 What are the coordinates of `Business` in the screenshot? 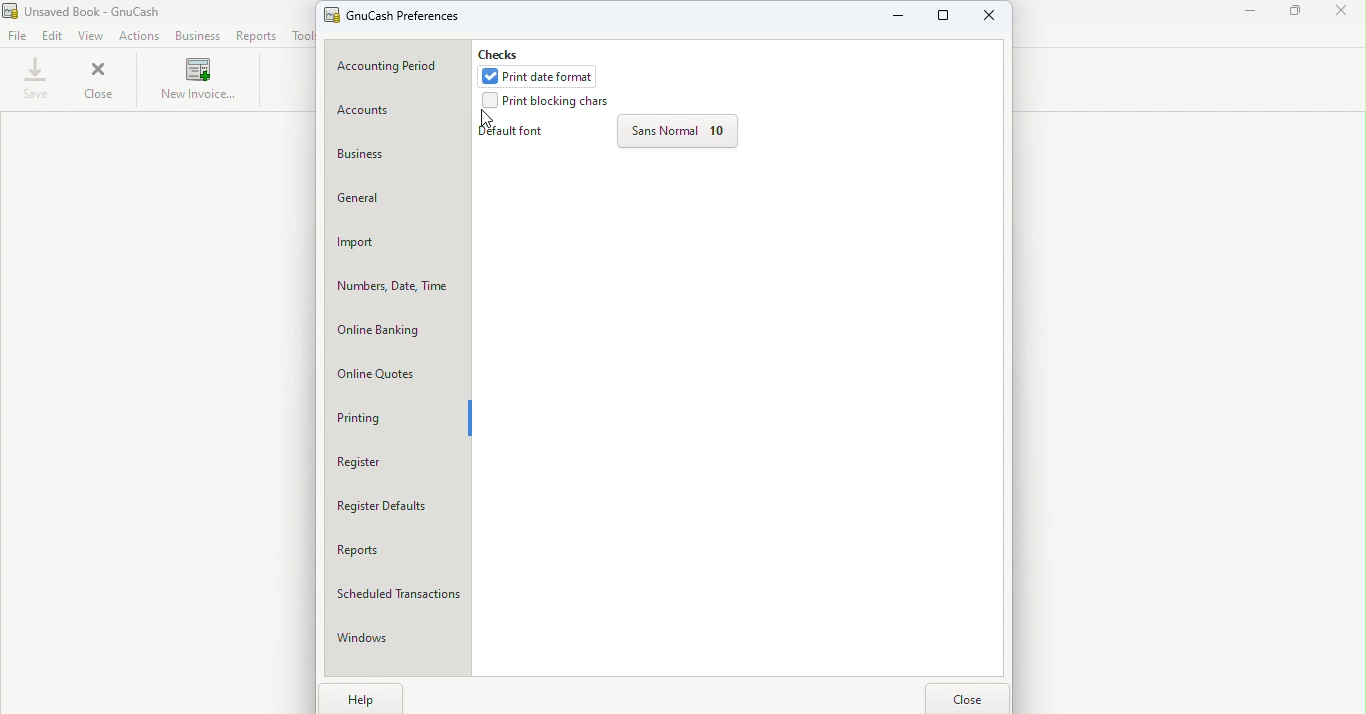 It's located at (198, 37).